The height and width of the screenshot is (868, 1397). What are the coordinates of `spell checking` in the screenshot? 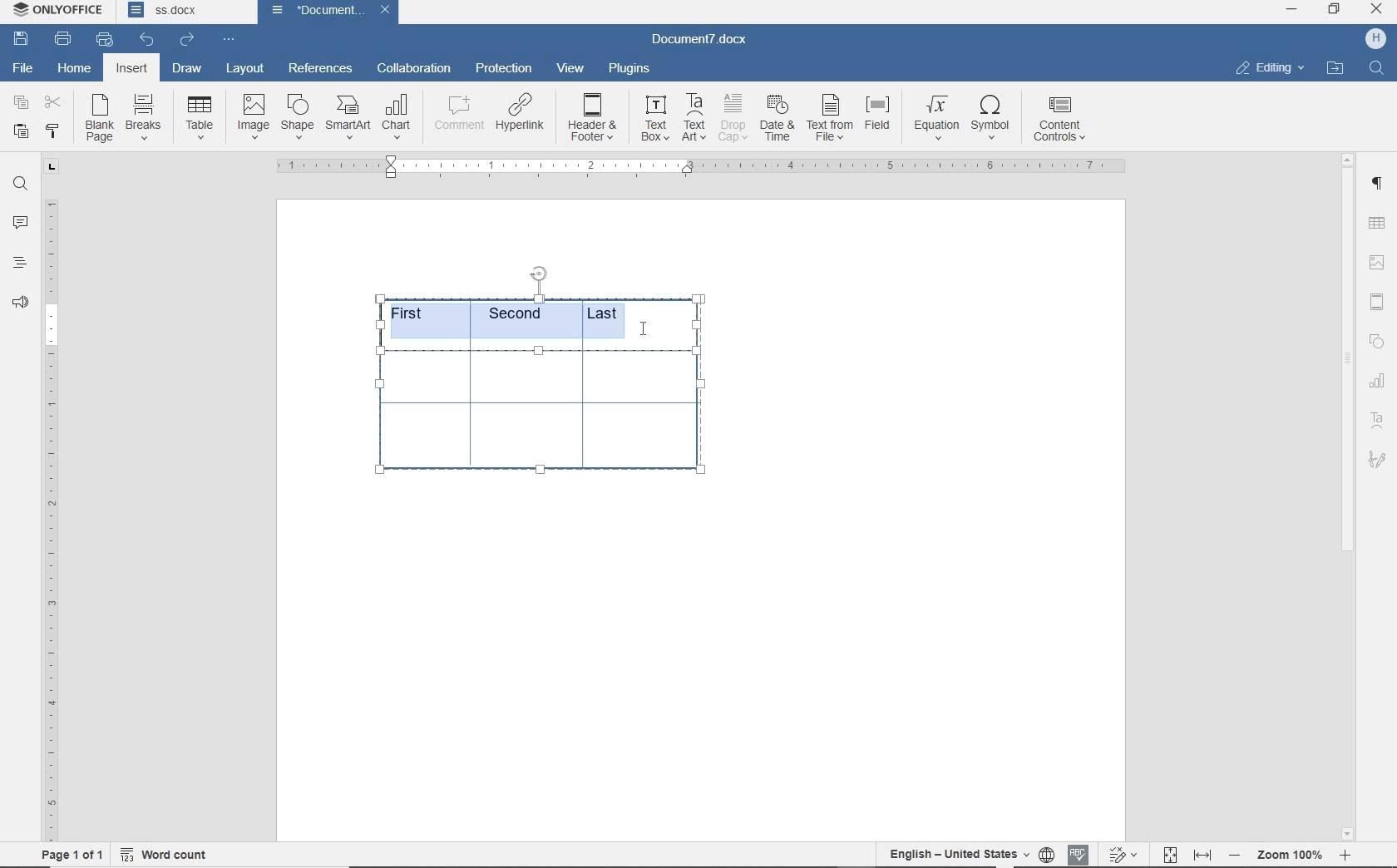 It's located at (1079, 853).